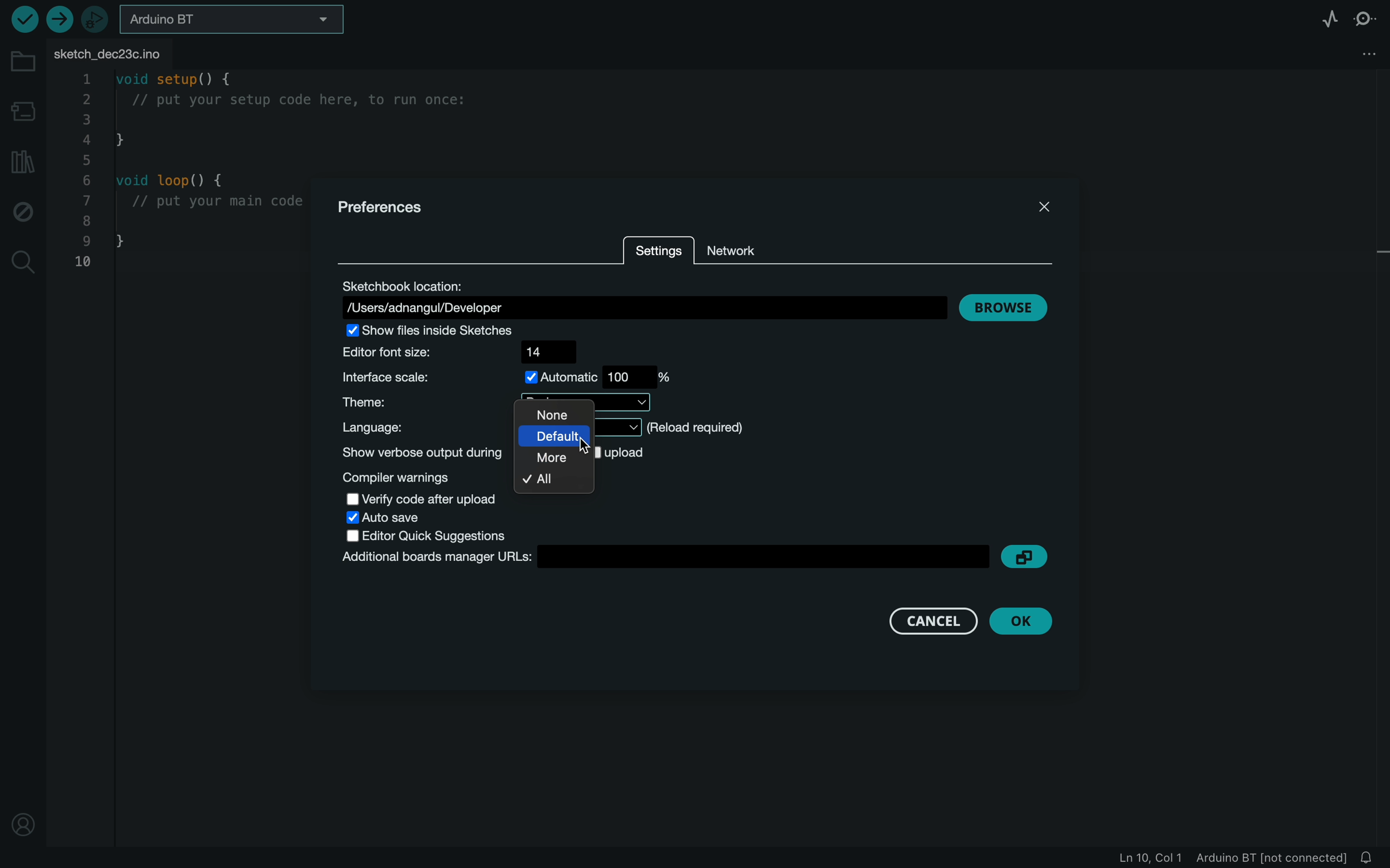 This screenshot has height=868, width=1390. Describe the element at coordinates (1364, 51) in the screenshot. I see `file setting` at that location.